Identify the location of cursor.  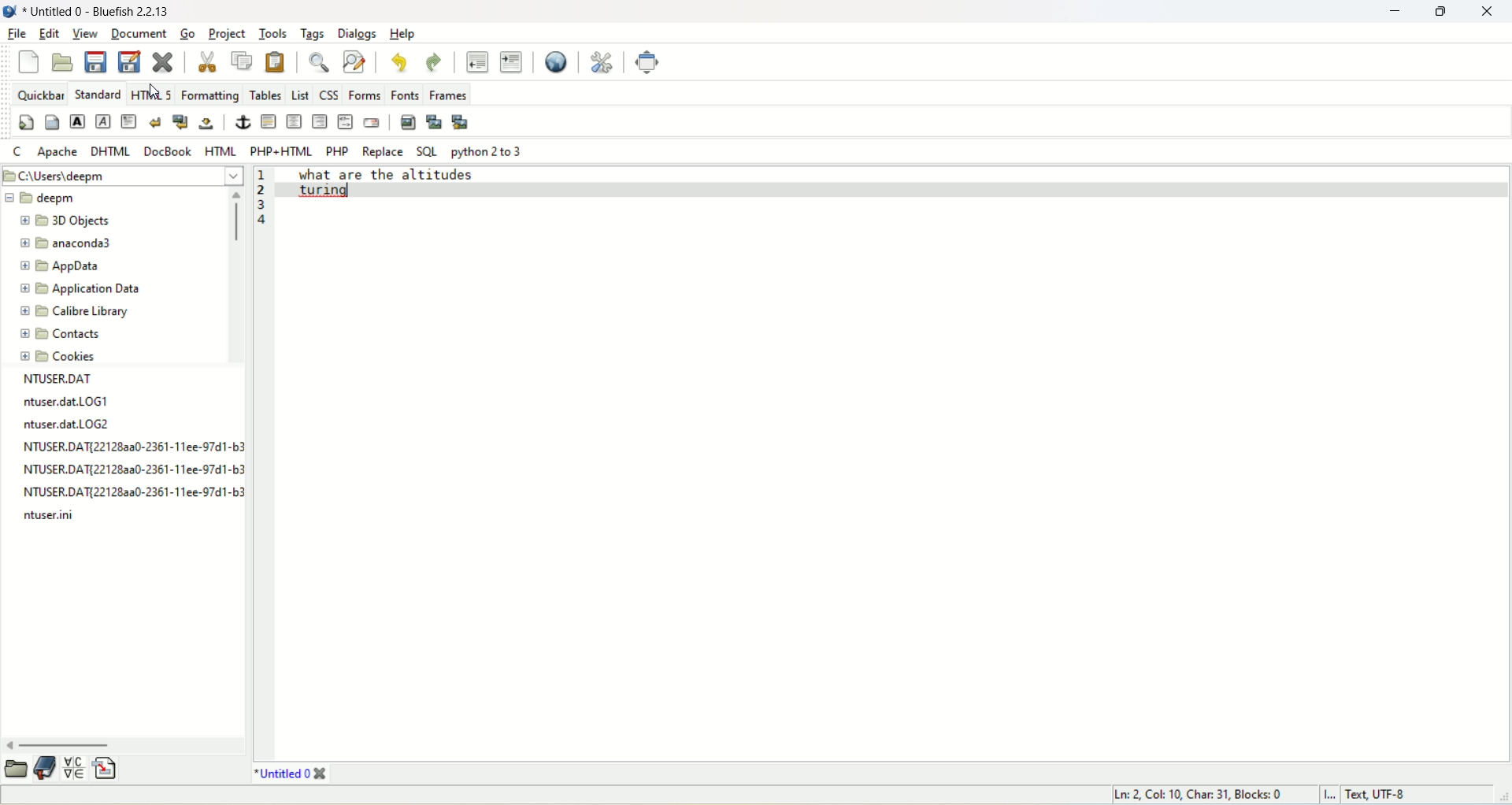
(299, 189).